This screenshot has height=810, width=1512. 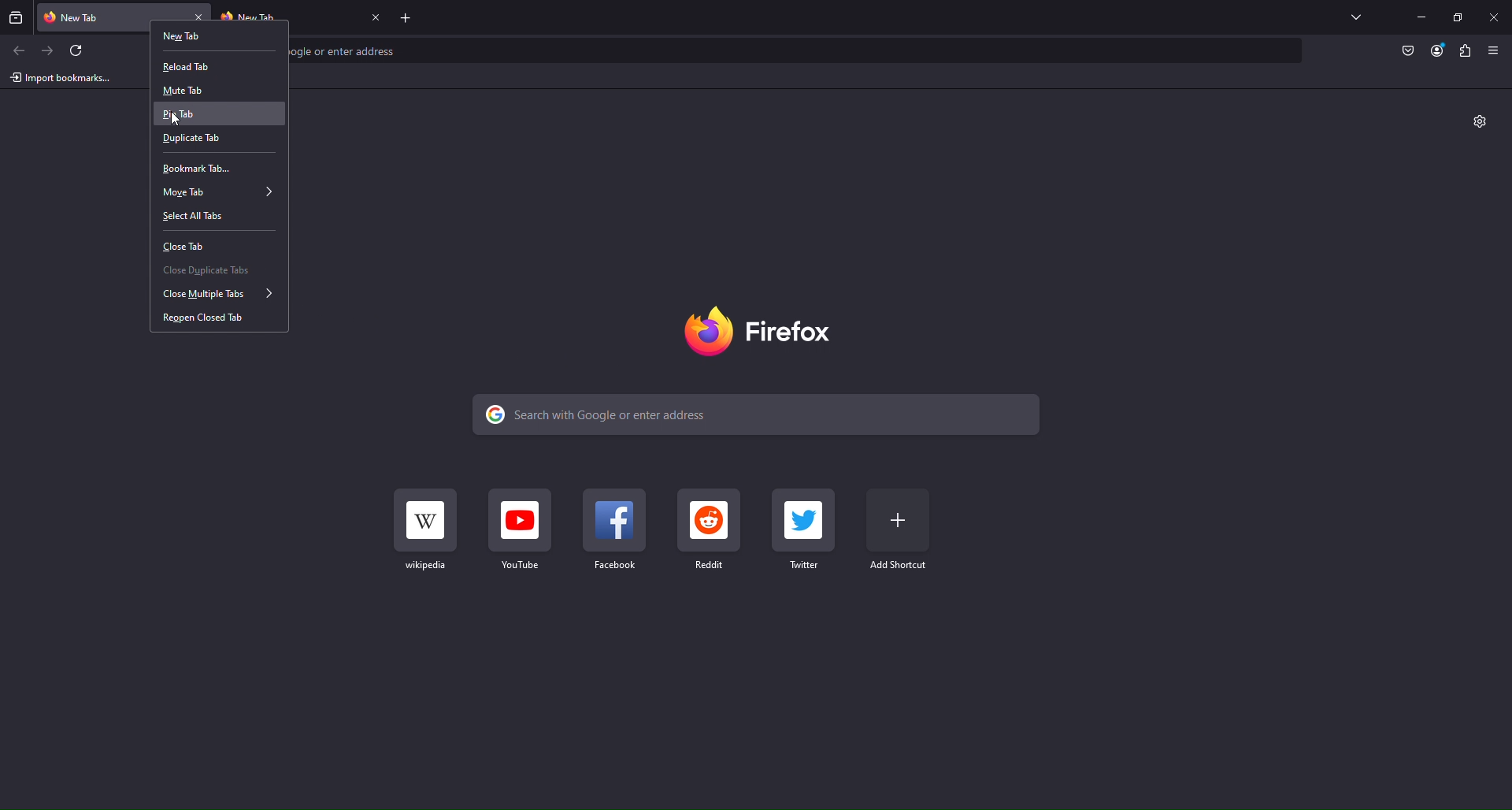 What do you see at coordinates (215, 39) in the screenshot?
I see `New Tab` at bounding box center [215, 39].